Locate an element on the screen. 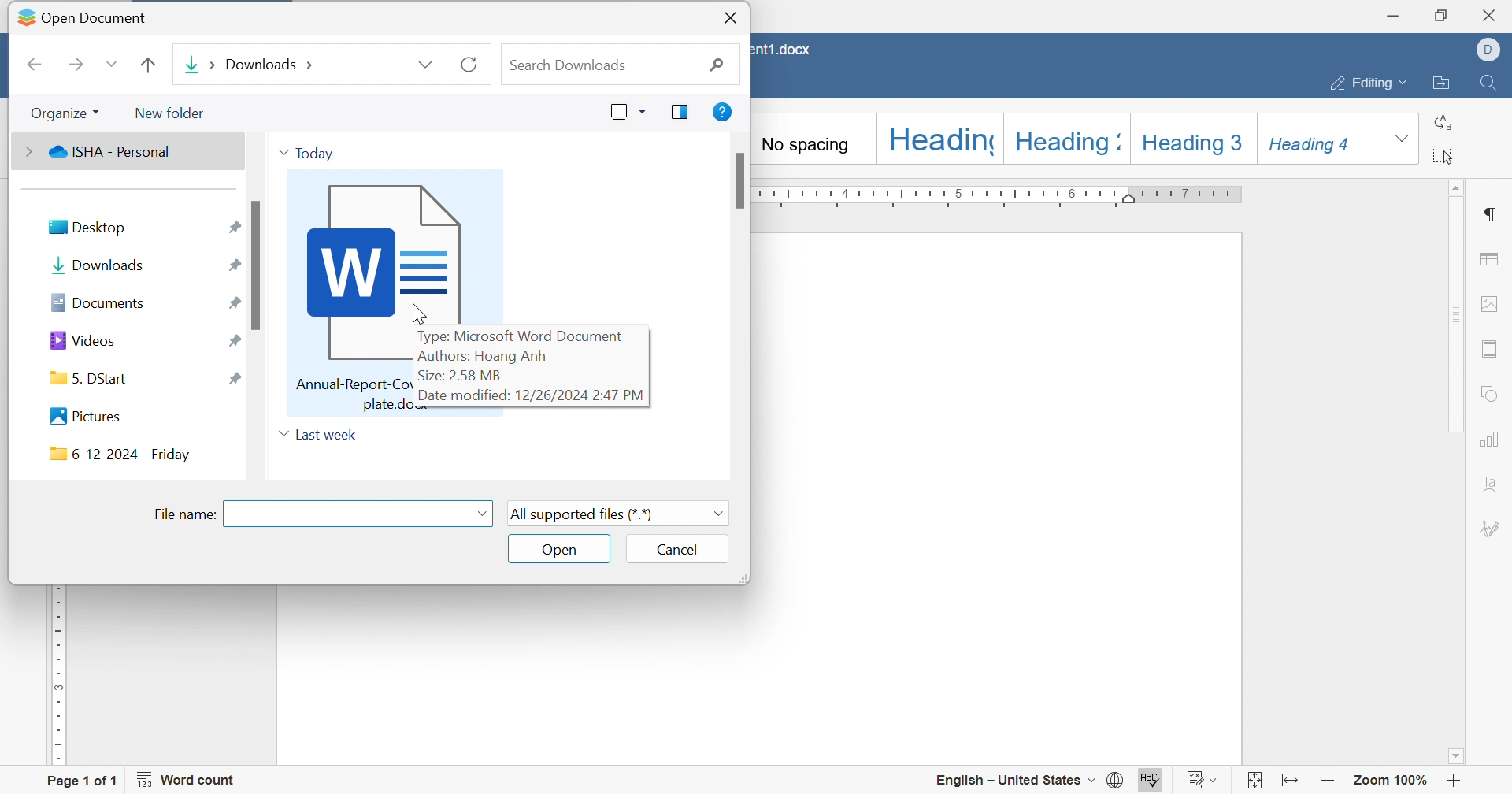 This screenshot has width=1512, height=794. select all is located at coordinates (1442, 156).